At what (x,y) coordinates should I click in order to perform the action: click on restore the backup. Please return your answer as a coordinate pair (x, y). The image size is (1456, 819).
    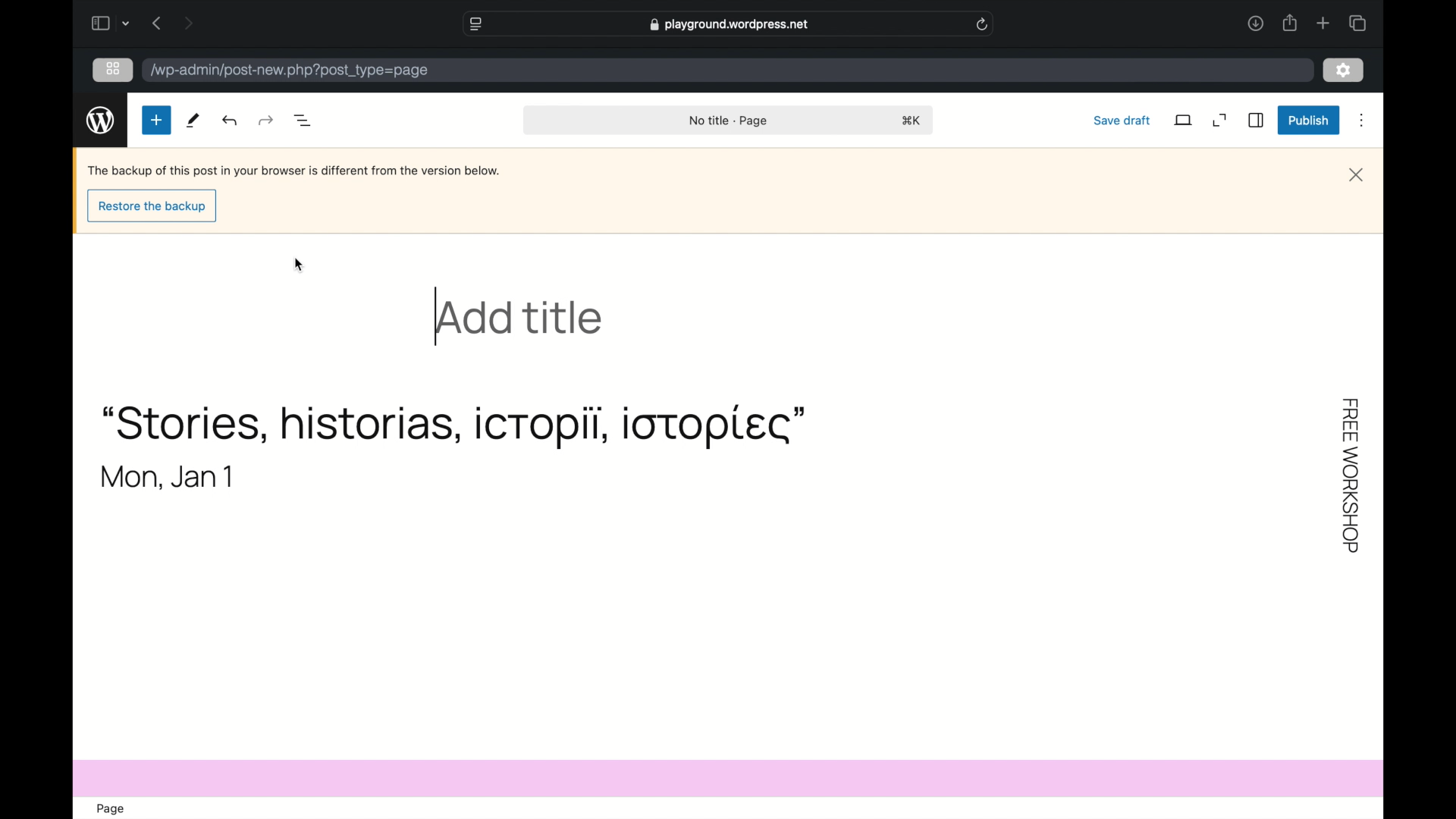
    Looking at the image, I should click on (154, 207).